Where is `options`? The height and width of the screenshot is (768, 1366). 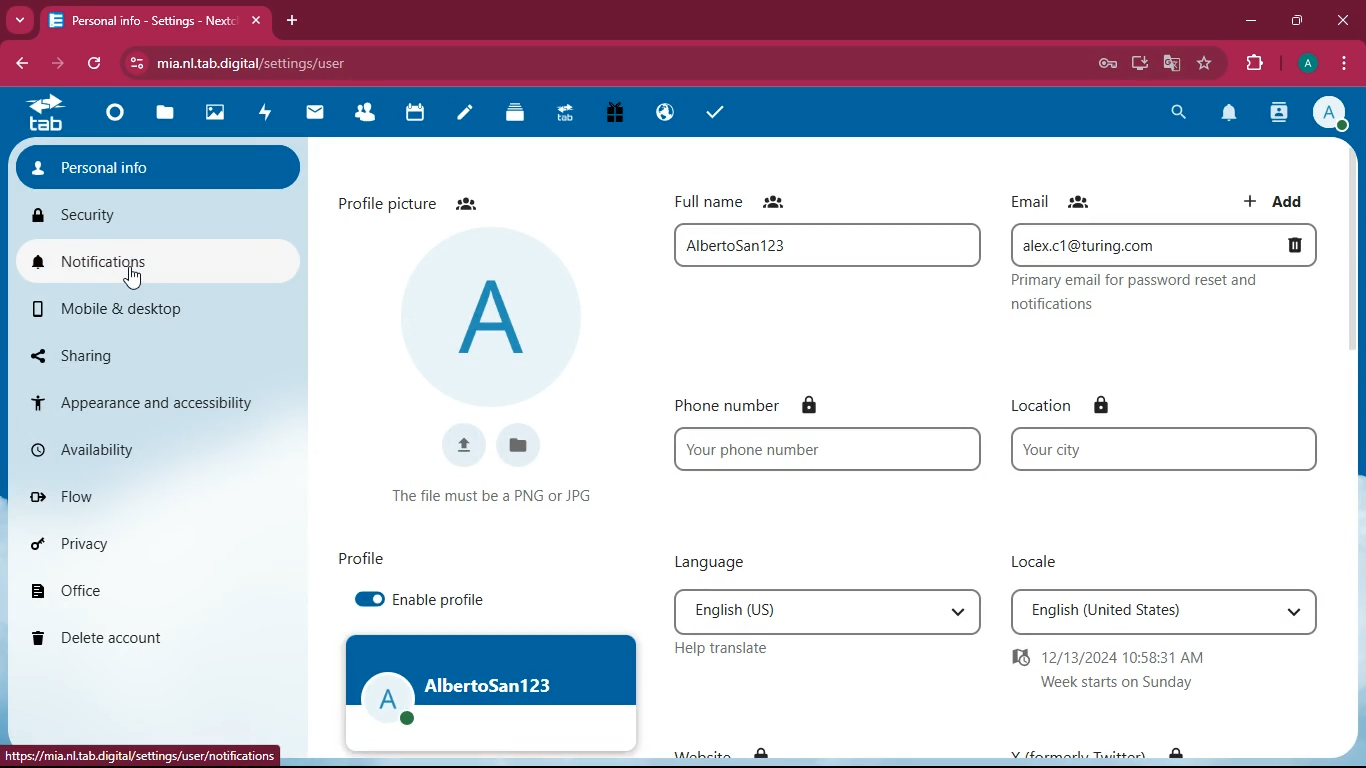
options is located at coordinates (1344, 63).